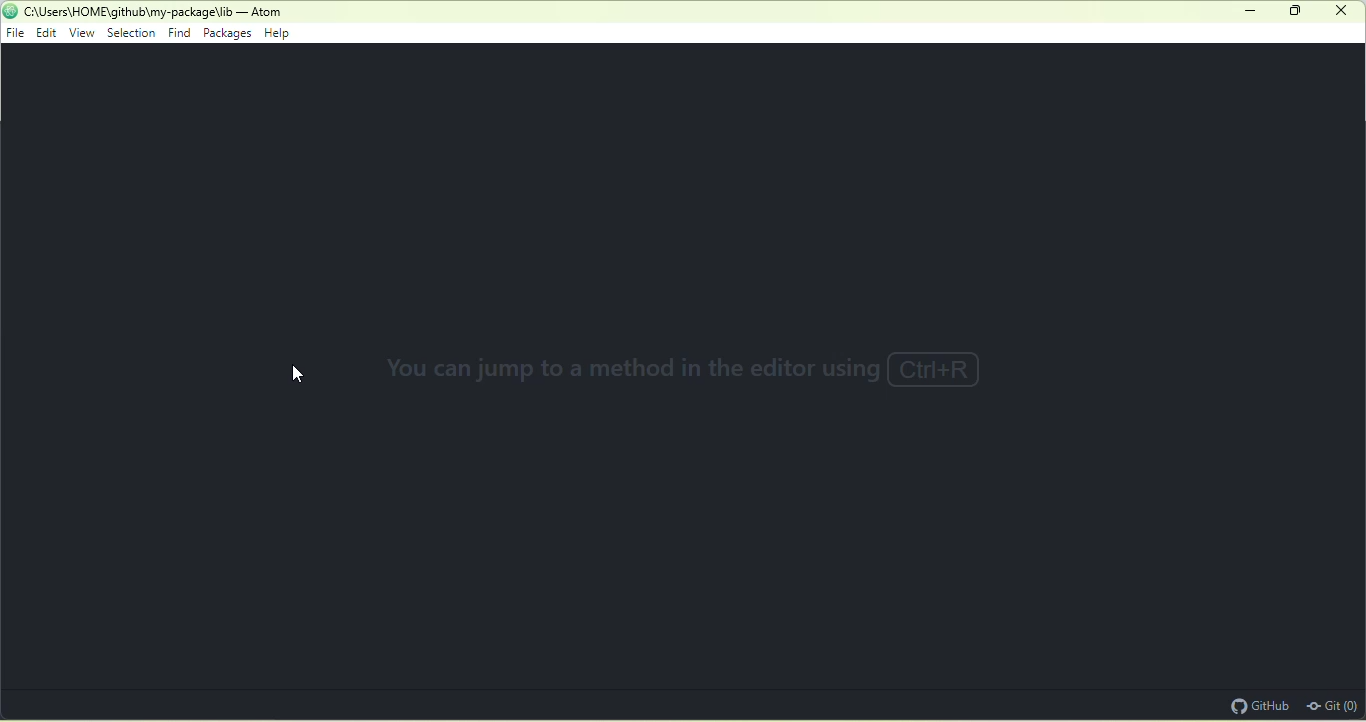 This screenshot has height=722, width=1366. I want to click on edit, so click(49, 34).